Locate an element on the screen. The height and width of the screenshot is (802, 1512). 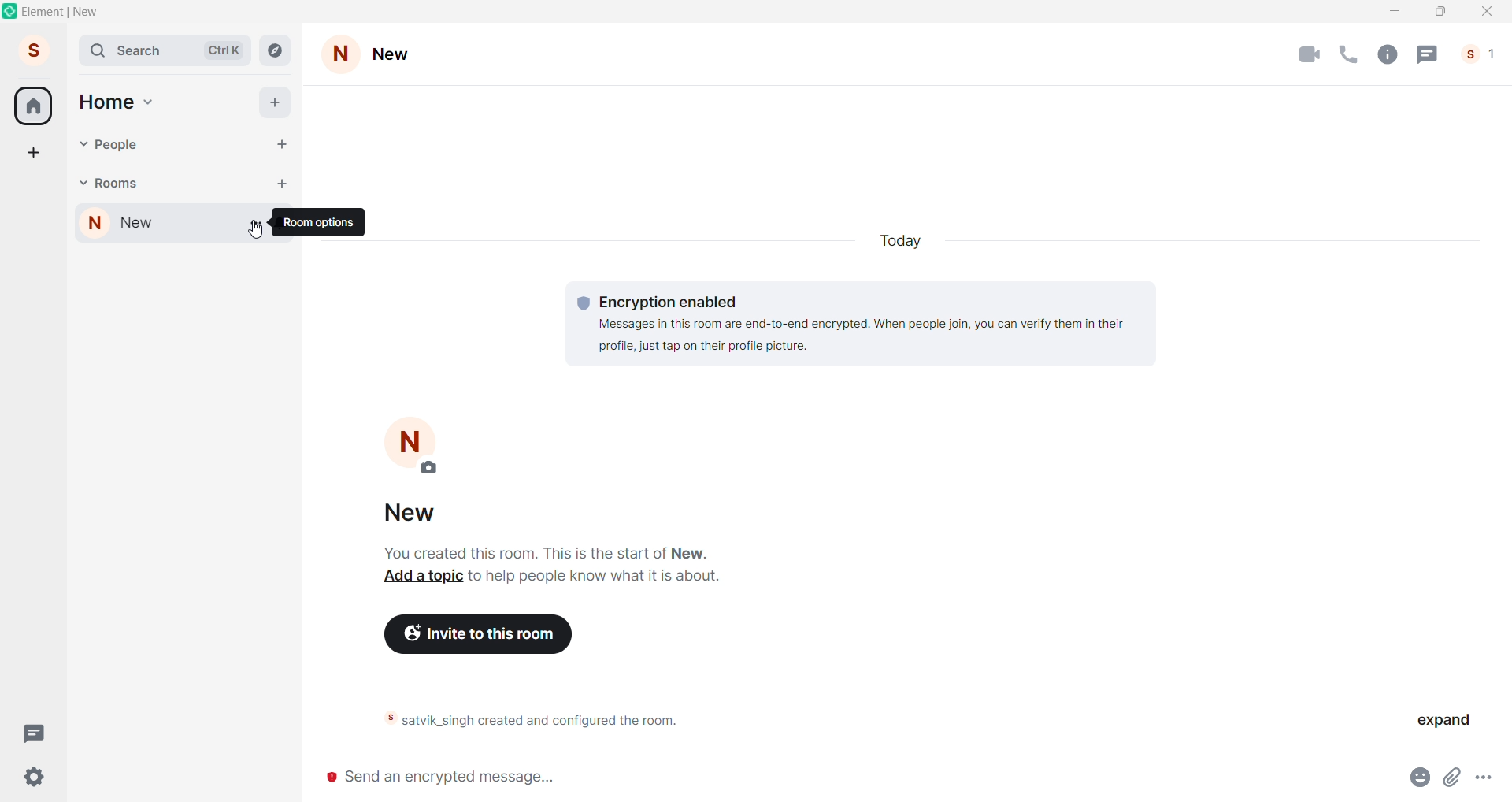
Video is located at coordinates (1310, 55).